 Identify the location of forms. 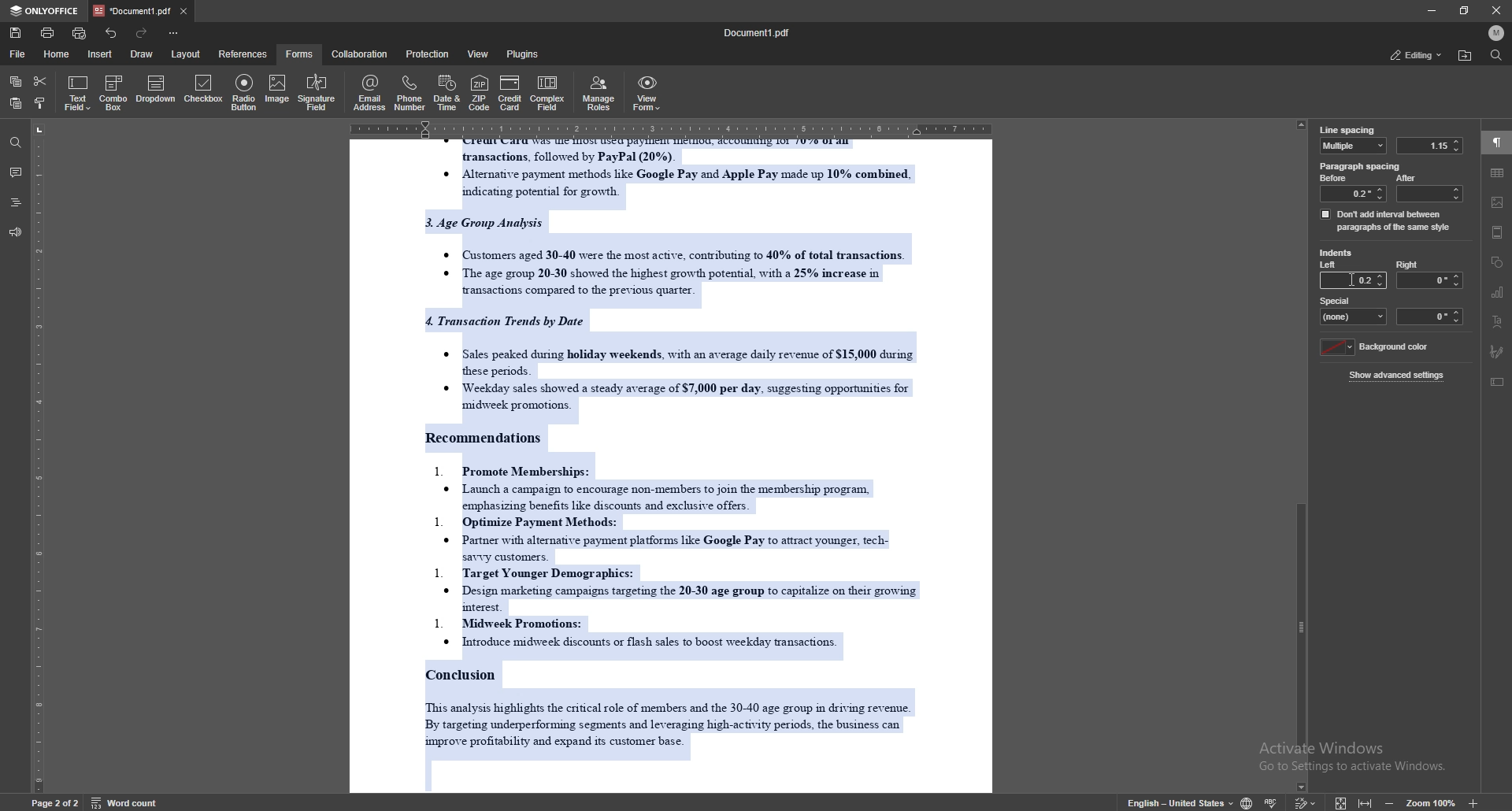
(301, 54).